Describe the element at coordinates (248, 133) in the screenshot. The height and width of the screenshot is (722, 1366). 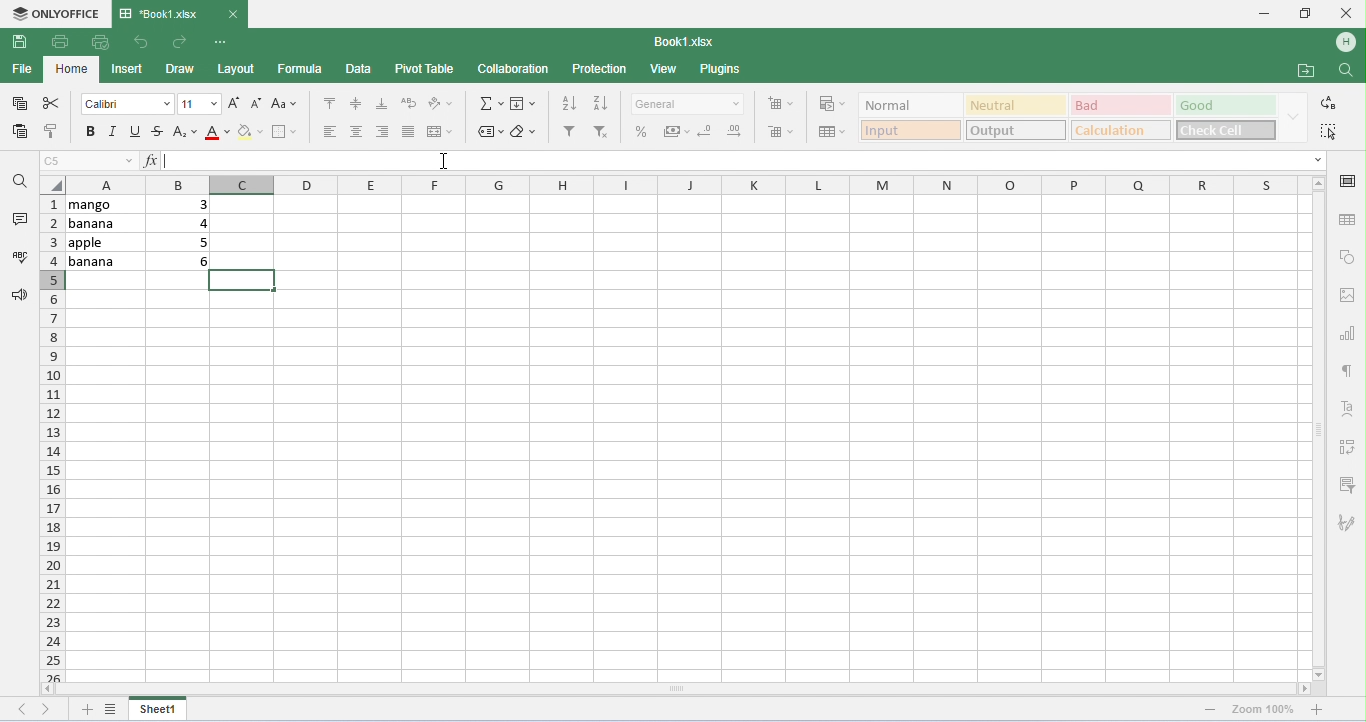
I see `background color` at that location.